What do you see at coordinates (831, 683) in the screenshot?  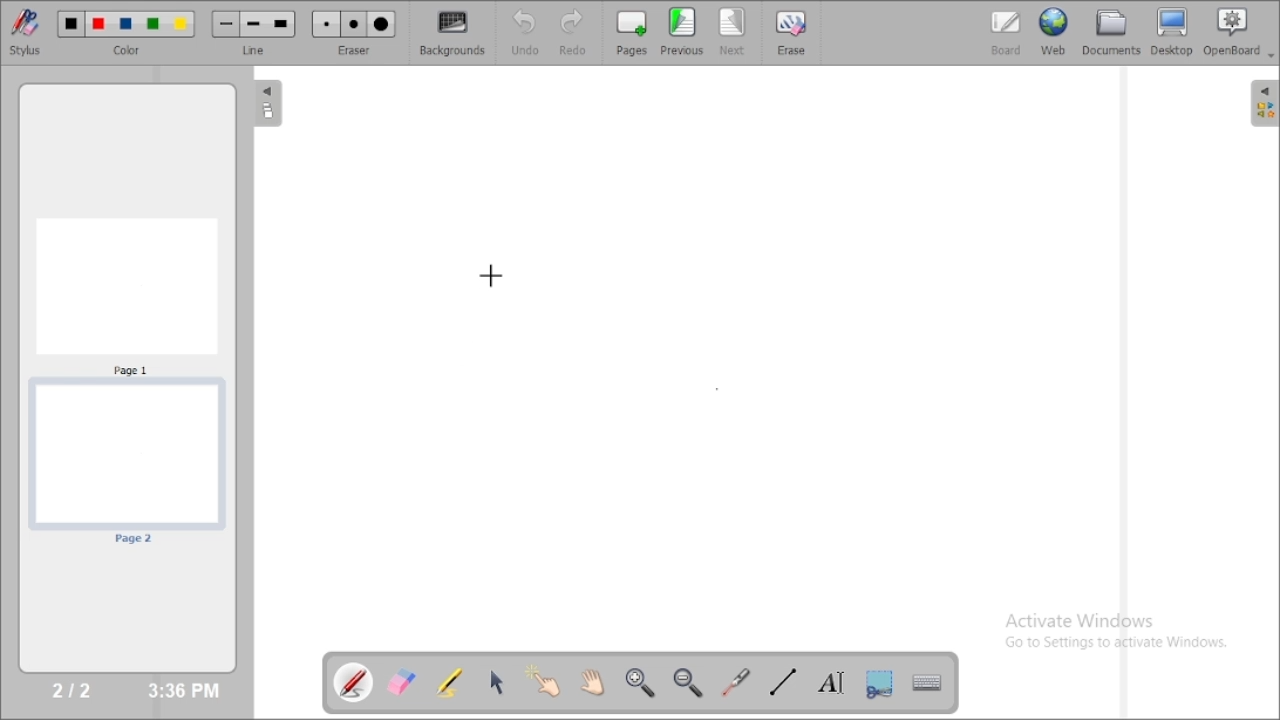 I see `write text` at bounding box center [831, 683].